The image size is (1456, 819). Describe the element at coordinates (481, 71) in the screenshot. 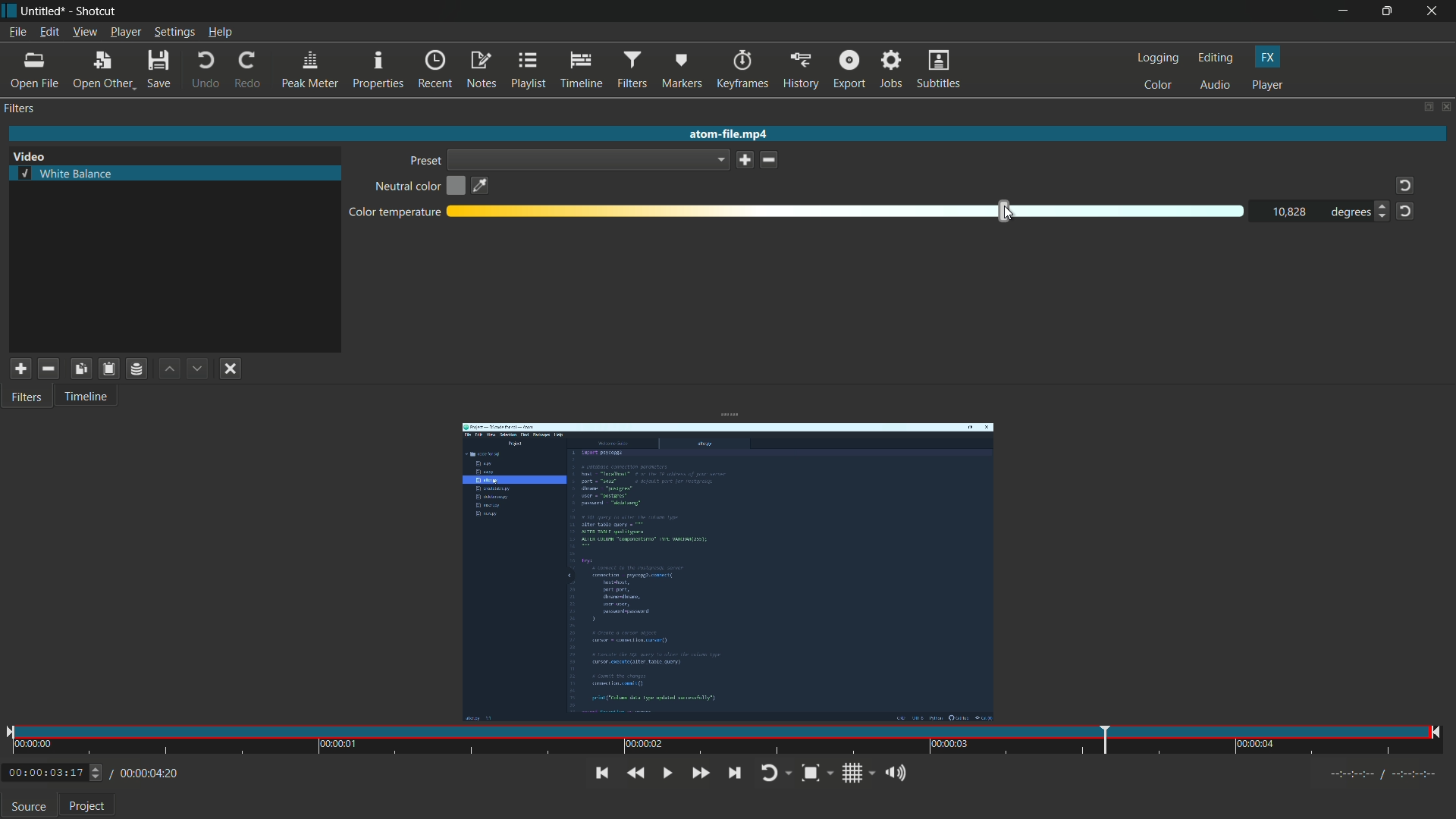

I see `notes` at that location.